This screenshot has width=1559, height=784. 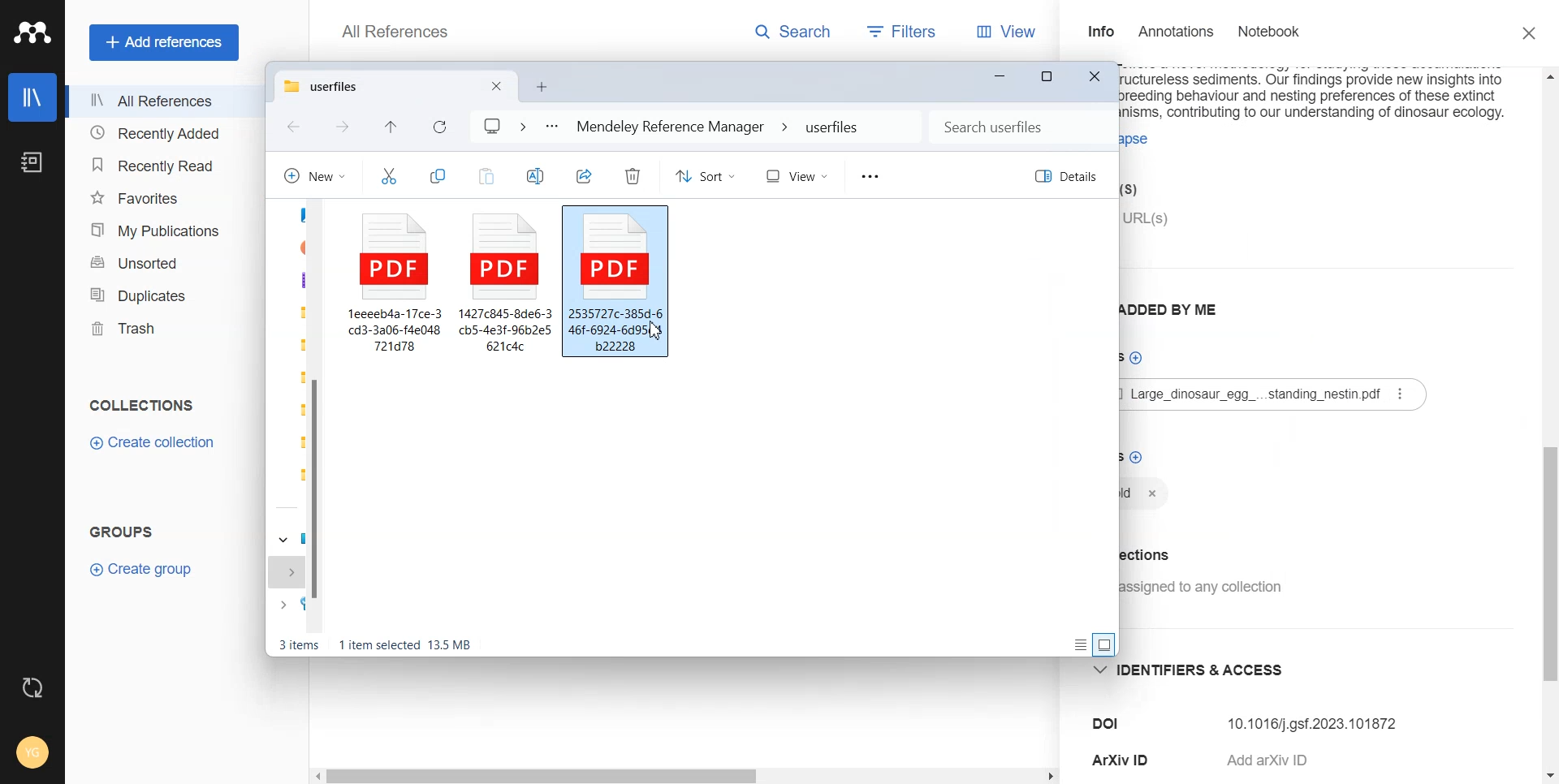 What do you see at coordinates (1099, 33) in the screenshot?
I see `Info` at bounding box center [1099, 33].